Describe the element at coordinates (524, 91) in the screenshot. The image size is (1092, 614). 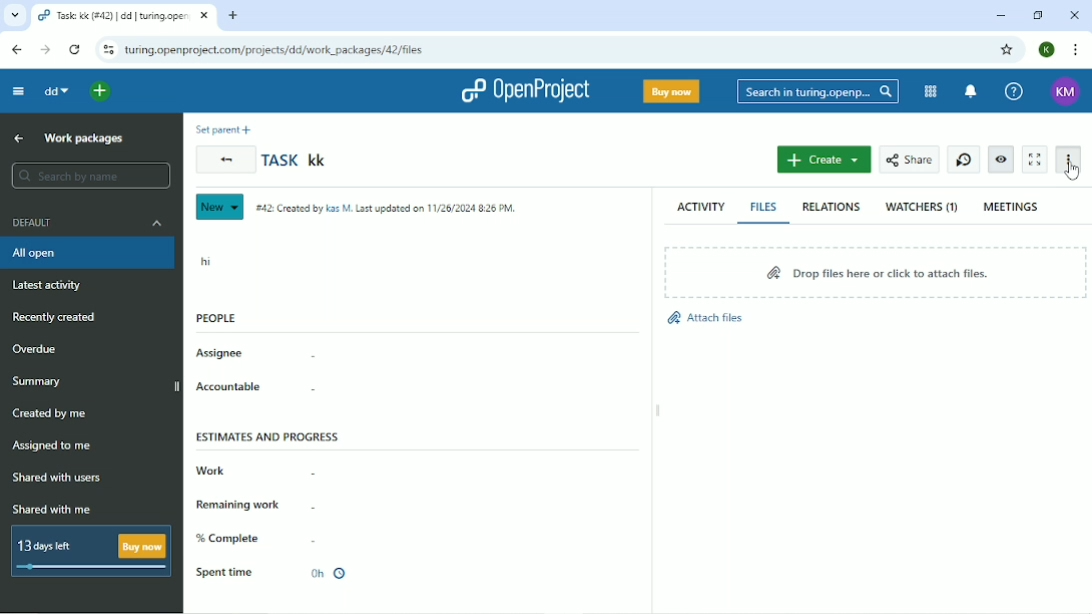
I see `OpenProject` at that location.